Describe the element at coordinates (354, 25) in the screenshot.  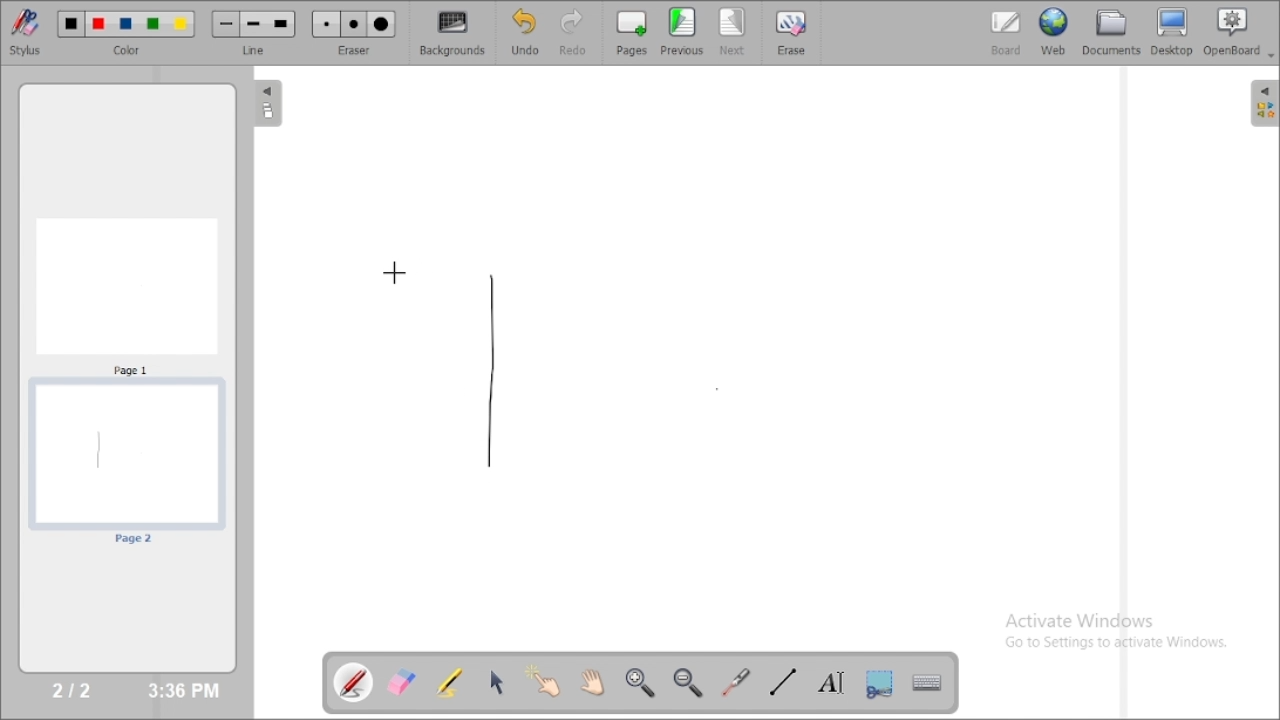
I see `Medium eraser` at that location.